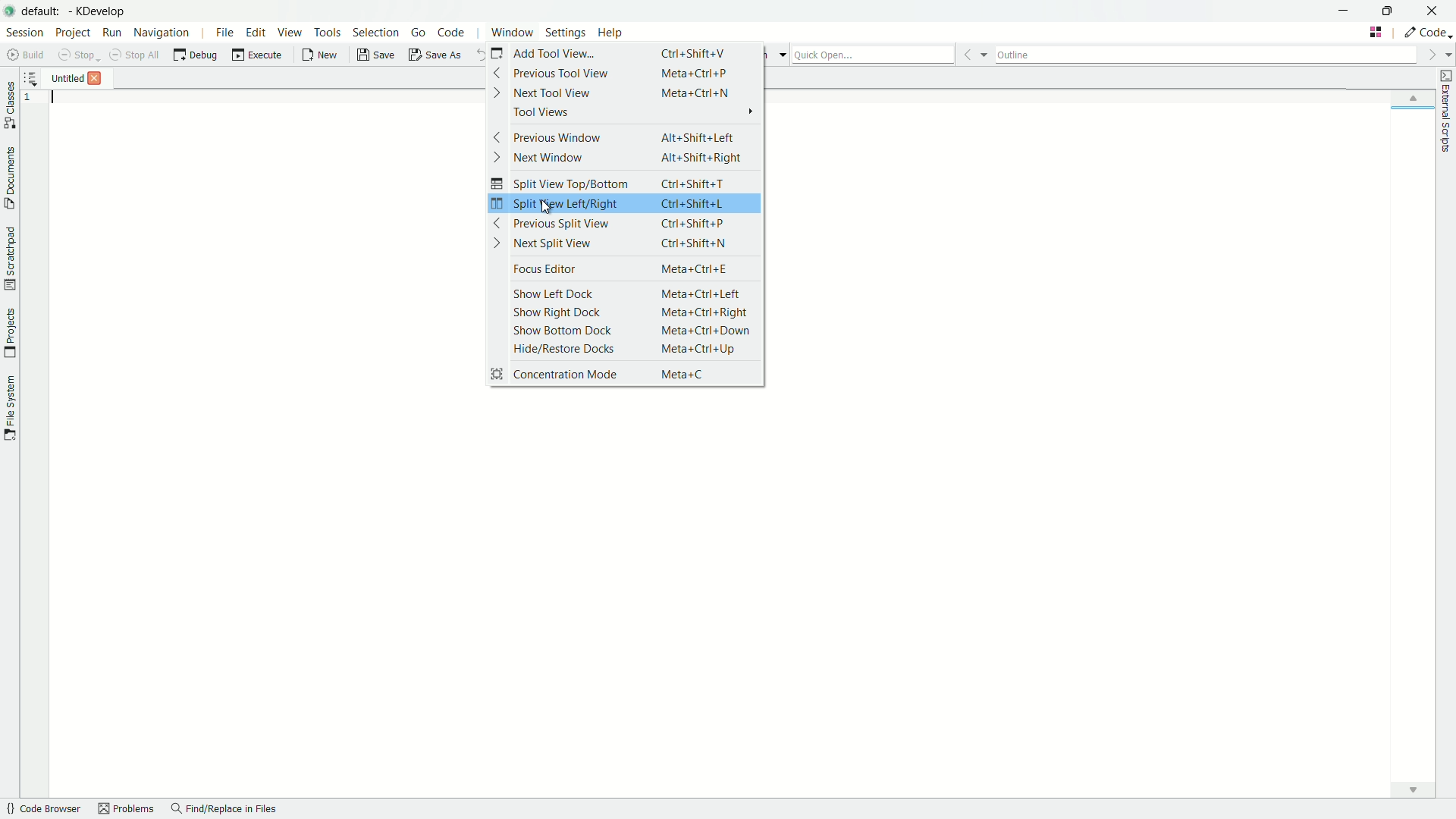 The image size is (1456, 819). I want to click on run menu, so click(112, 33).